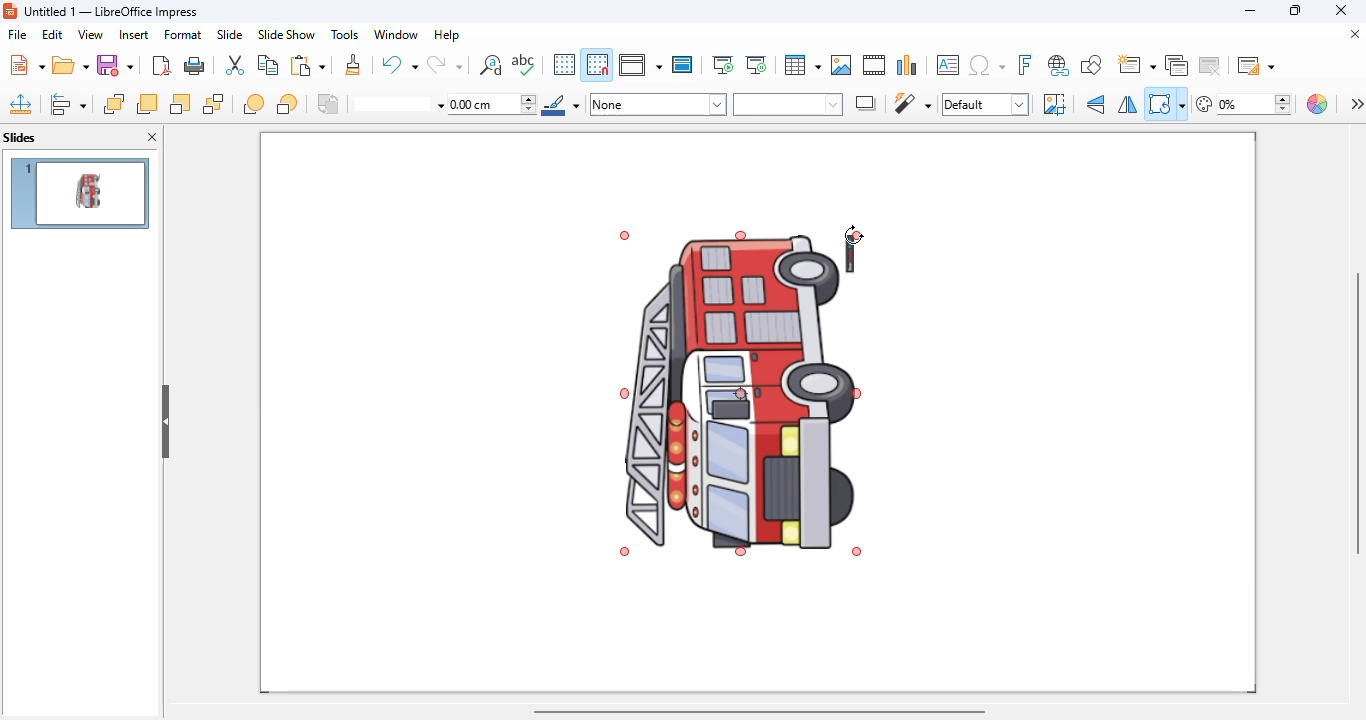  What do you see at coordinates (1210, 64) in the screenshot?
I see `delete slide` at bounding box center [1210, 64].